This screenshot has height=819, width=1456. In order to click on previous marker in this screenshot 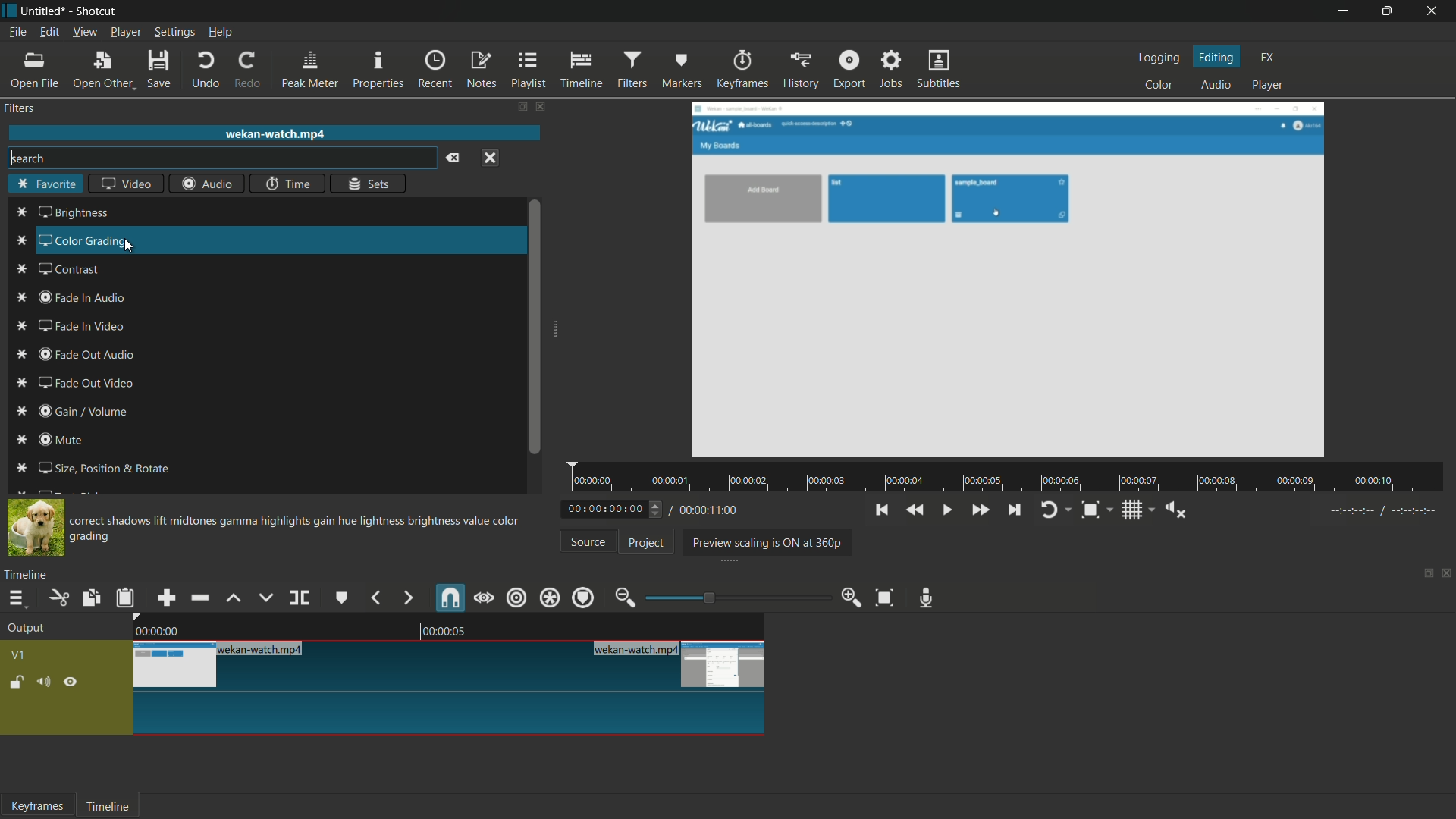, I will do `click(374, 598)`.